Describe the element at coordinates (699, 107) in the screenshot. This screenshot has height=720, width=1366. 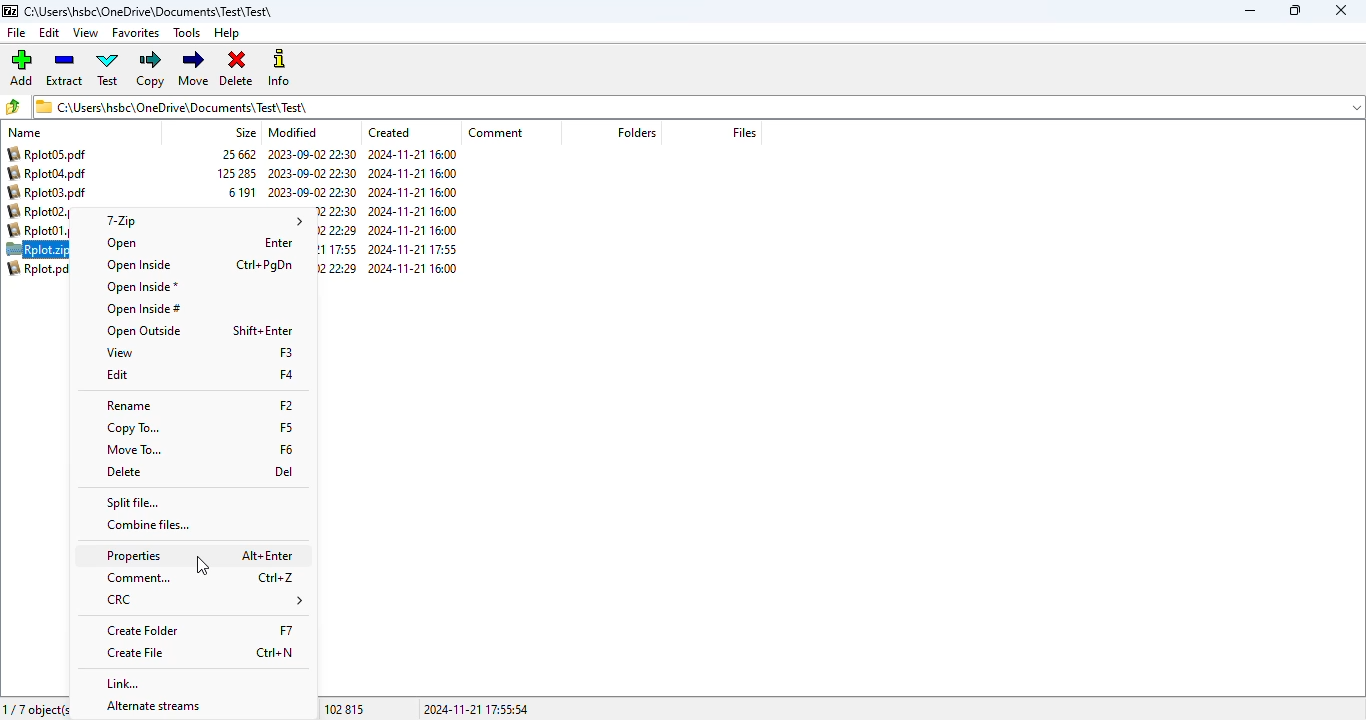
I see `C:\Users\hsbc\OneDrive\ Documents) Test\ Test\` at that location.